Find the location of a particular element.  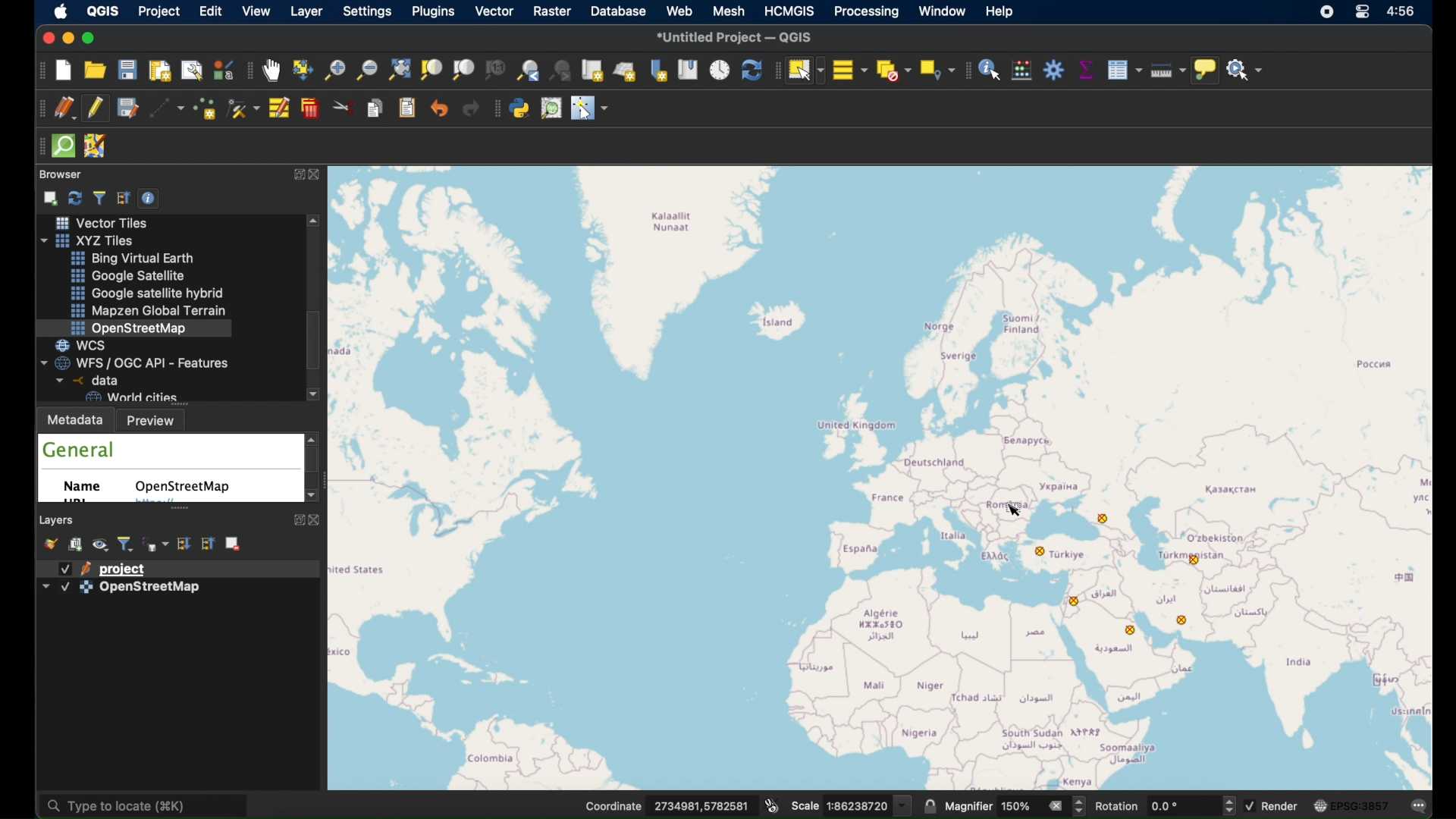

show layout manager is located at coordinates (193, 72).